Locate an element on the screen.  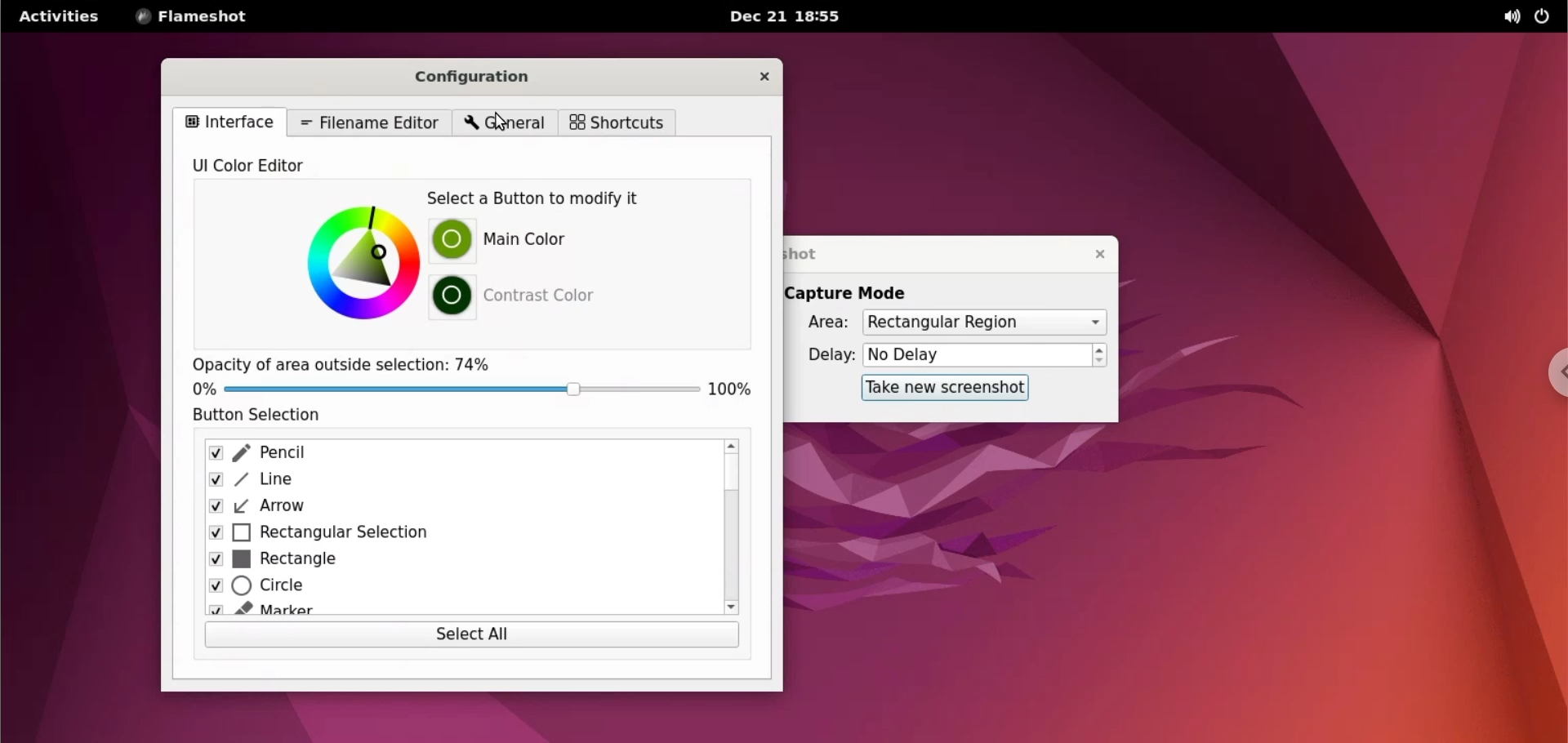
rectangular selection is located at coordinates (454, 534).